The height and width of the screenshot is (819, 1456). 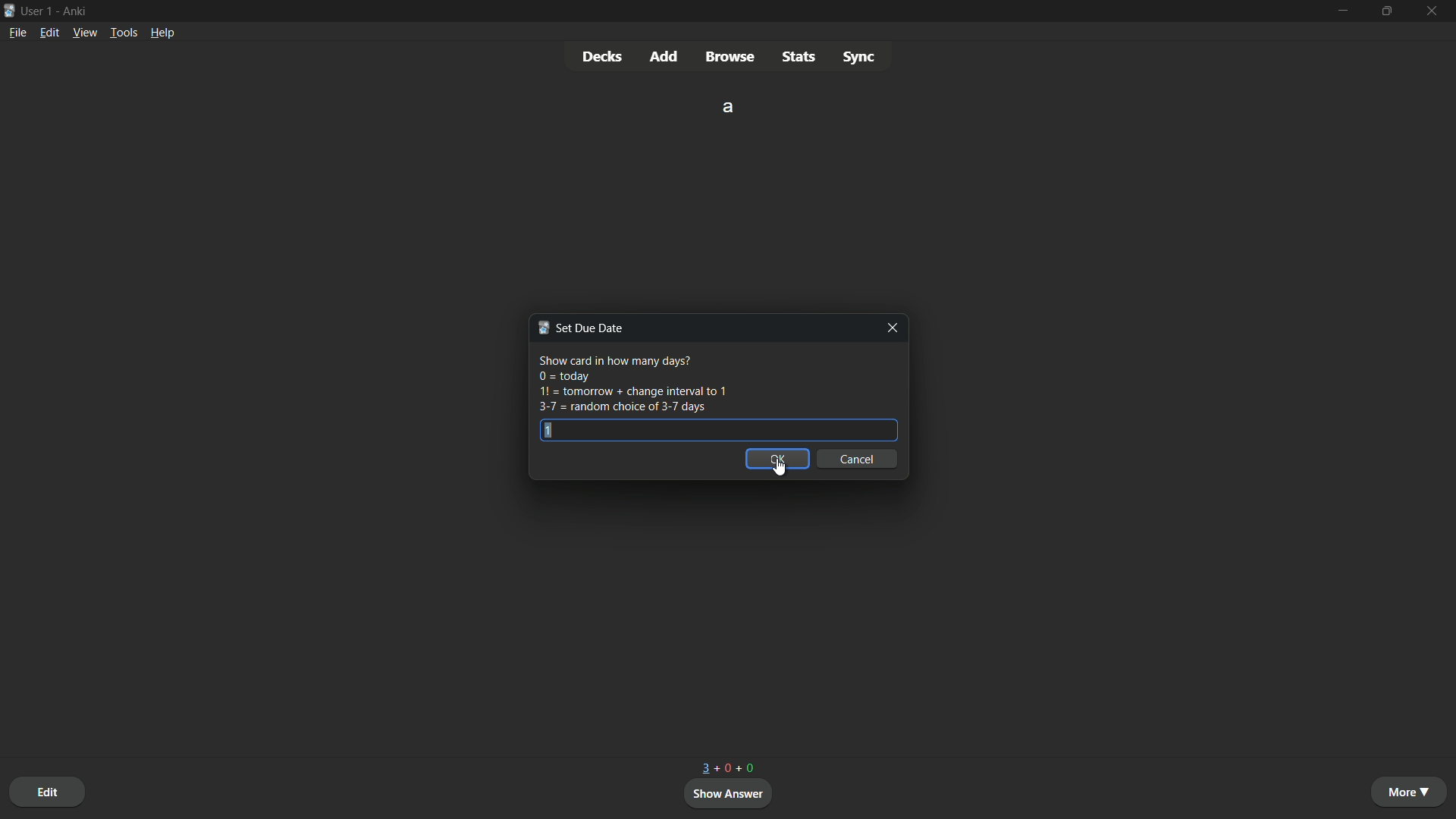 I want to click on help menu, so click(x=164, y=32).